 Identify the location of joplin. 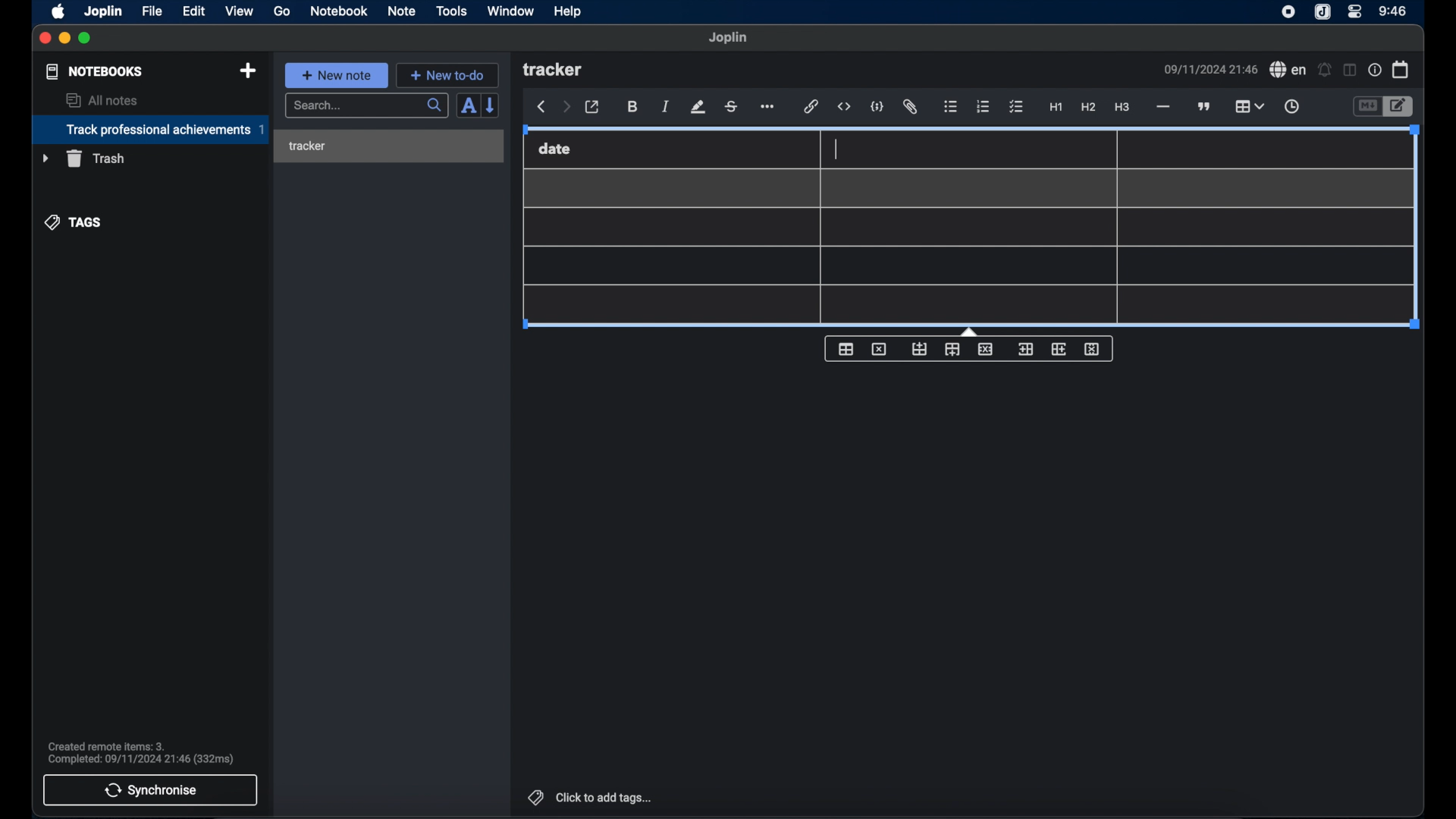
(729, 38).